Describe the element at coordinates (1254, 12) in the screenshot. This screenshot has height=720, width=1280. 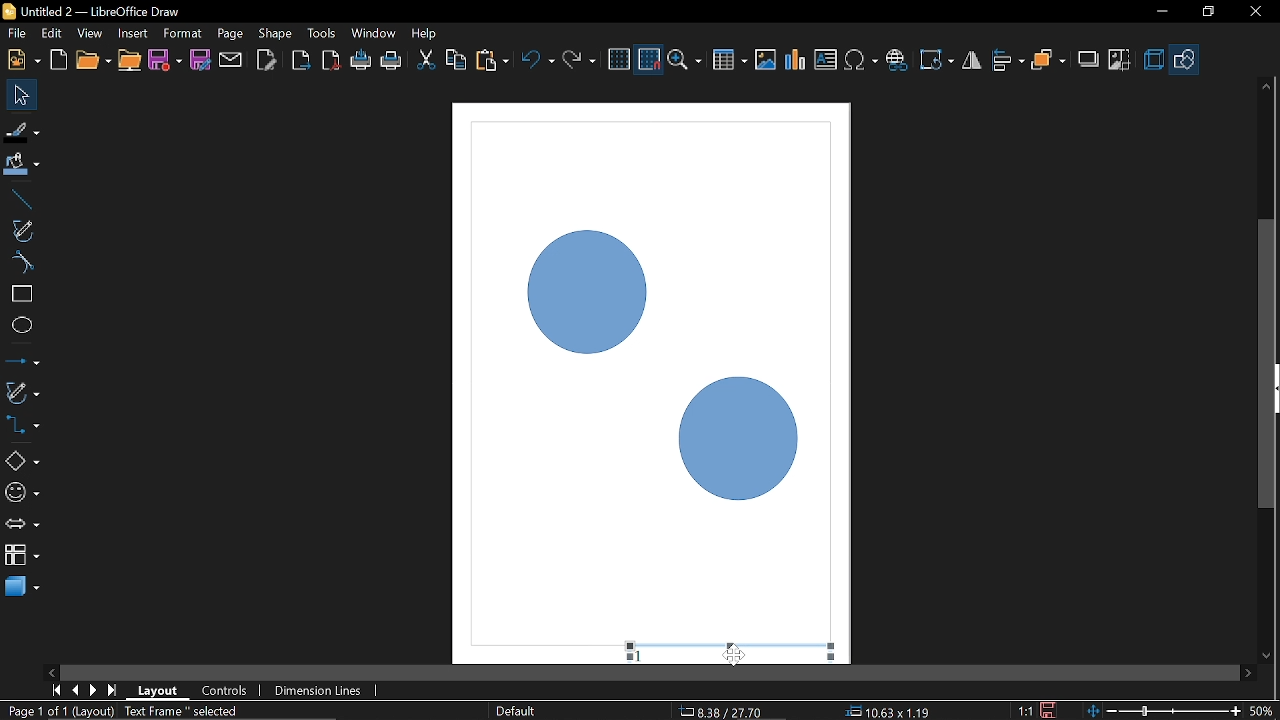
I see `CLose` at that location.